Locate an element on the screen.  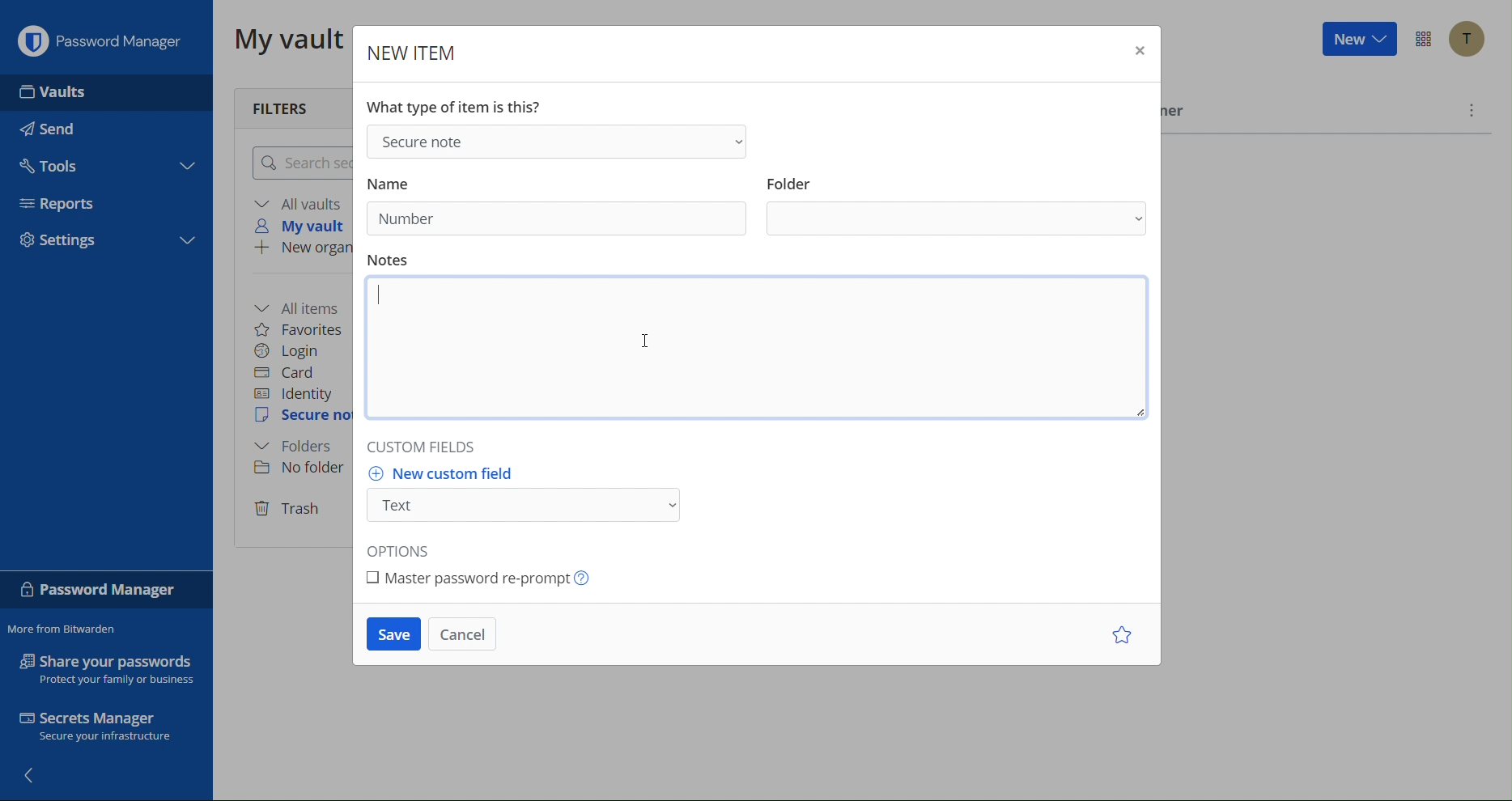
Close is located at coordinates (1137, 51).